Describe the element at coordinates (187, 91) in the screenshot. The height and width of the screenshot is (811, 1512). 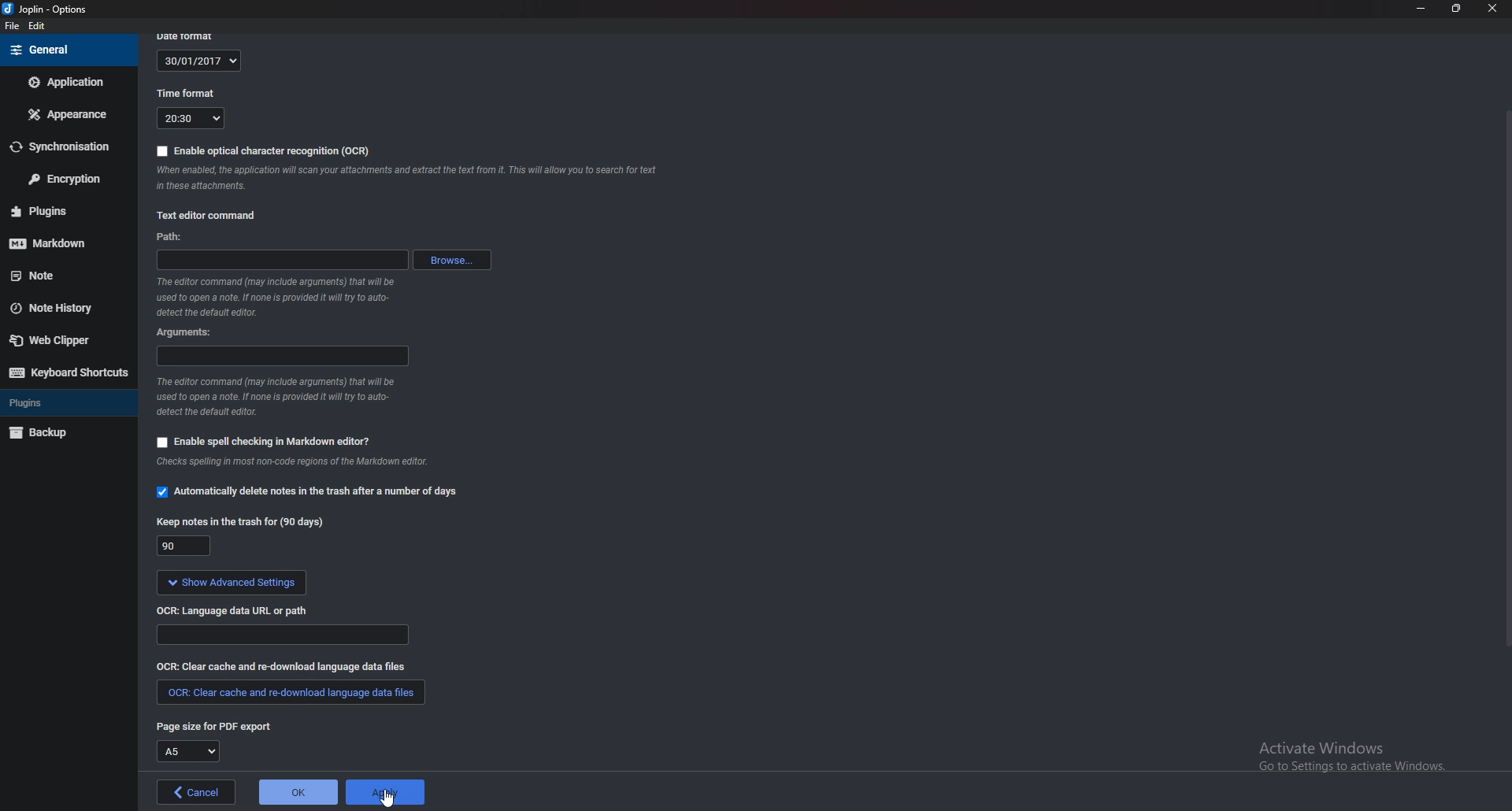
I see `Time format` at that location.